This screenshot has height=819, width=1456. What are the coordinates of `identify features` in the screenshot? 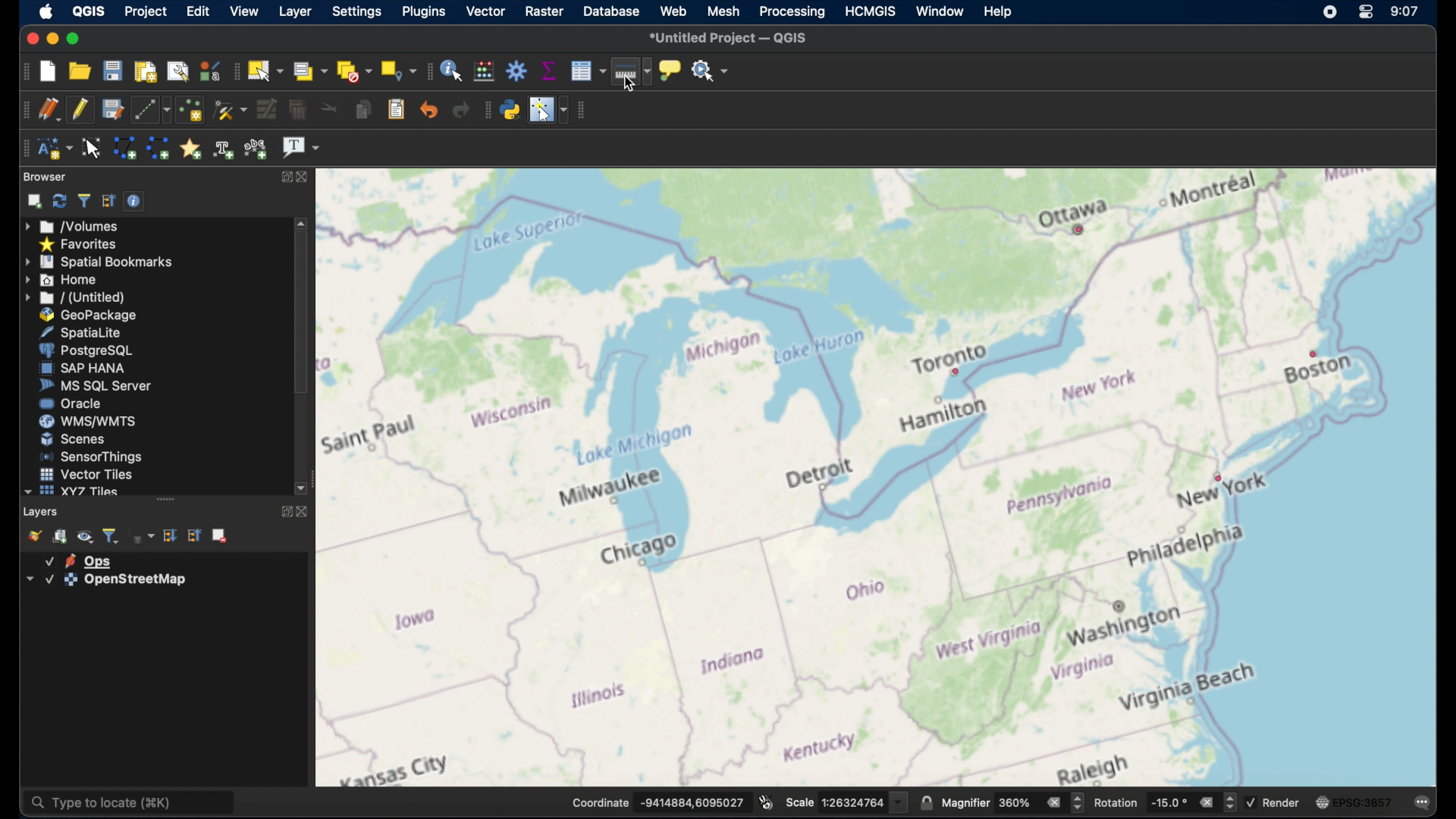 It's located at (453, 69).